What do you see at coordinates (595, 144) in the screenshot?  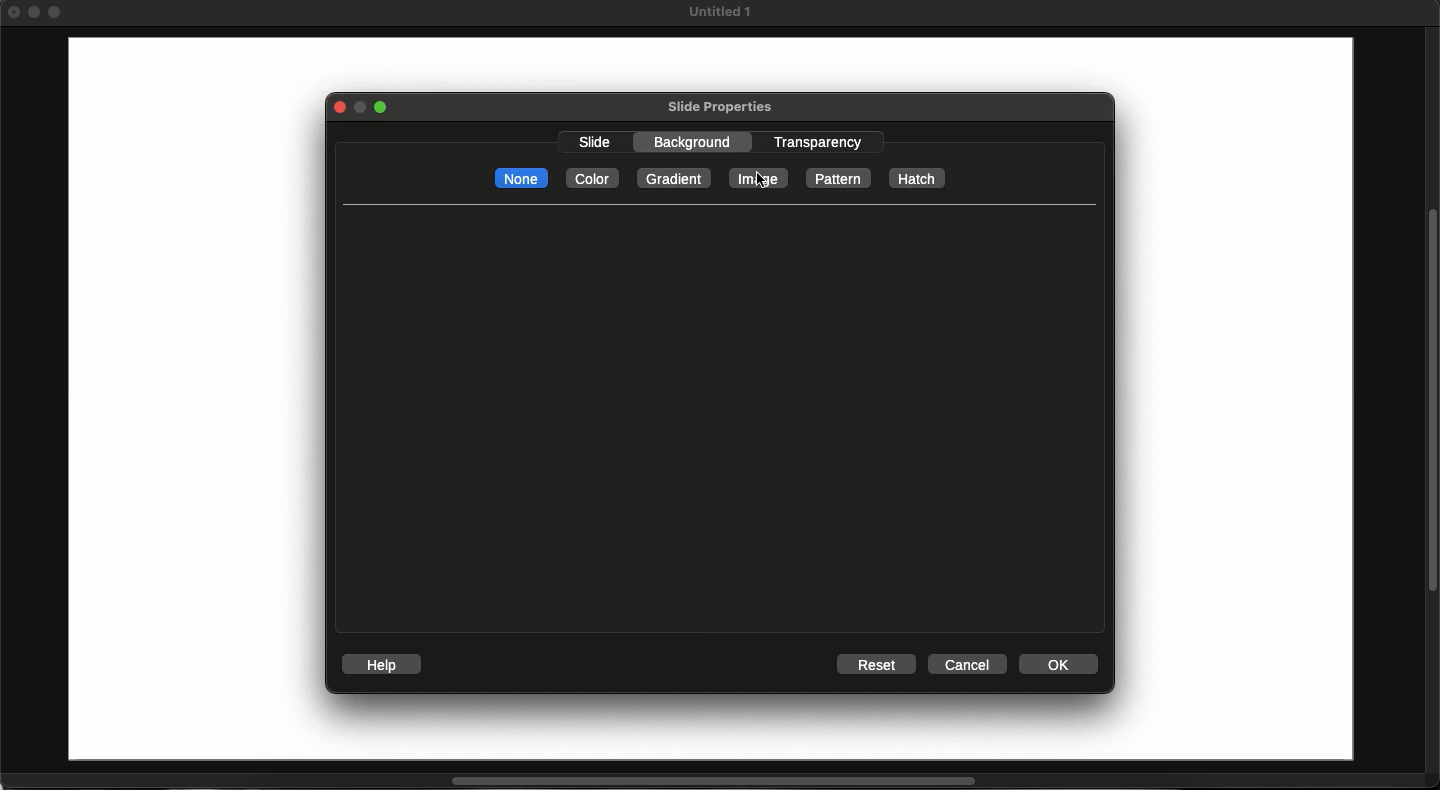 I see `Slide` at bounding box center [595, 144].